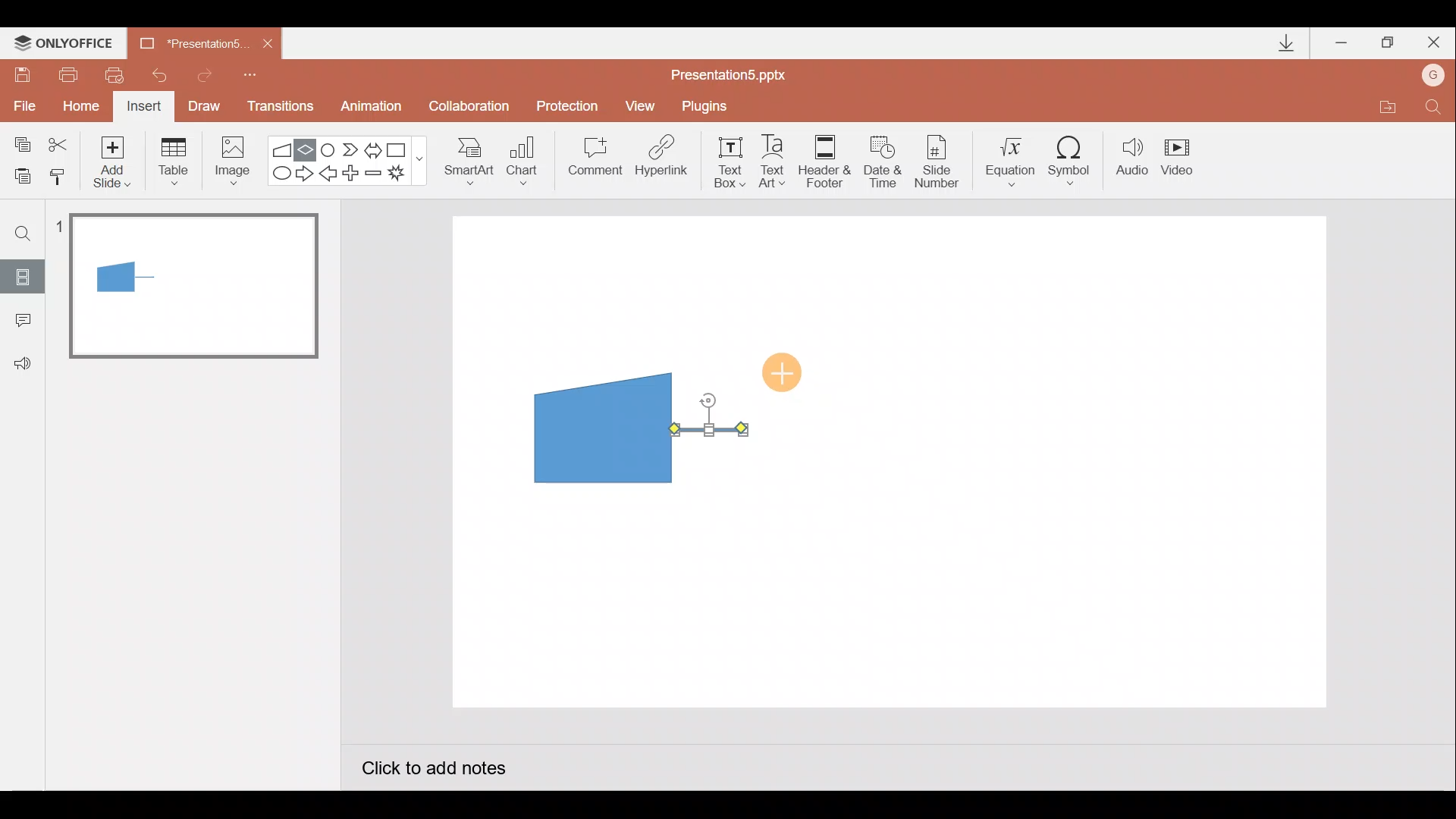  I want to click on Date & time, so click(881, 158).